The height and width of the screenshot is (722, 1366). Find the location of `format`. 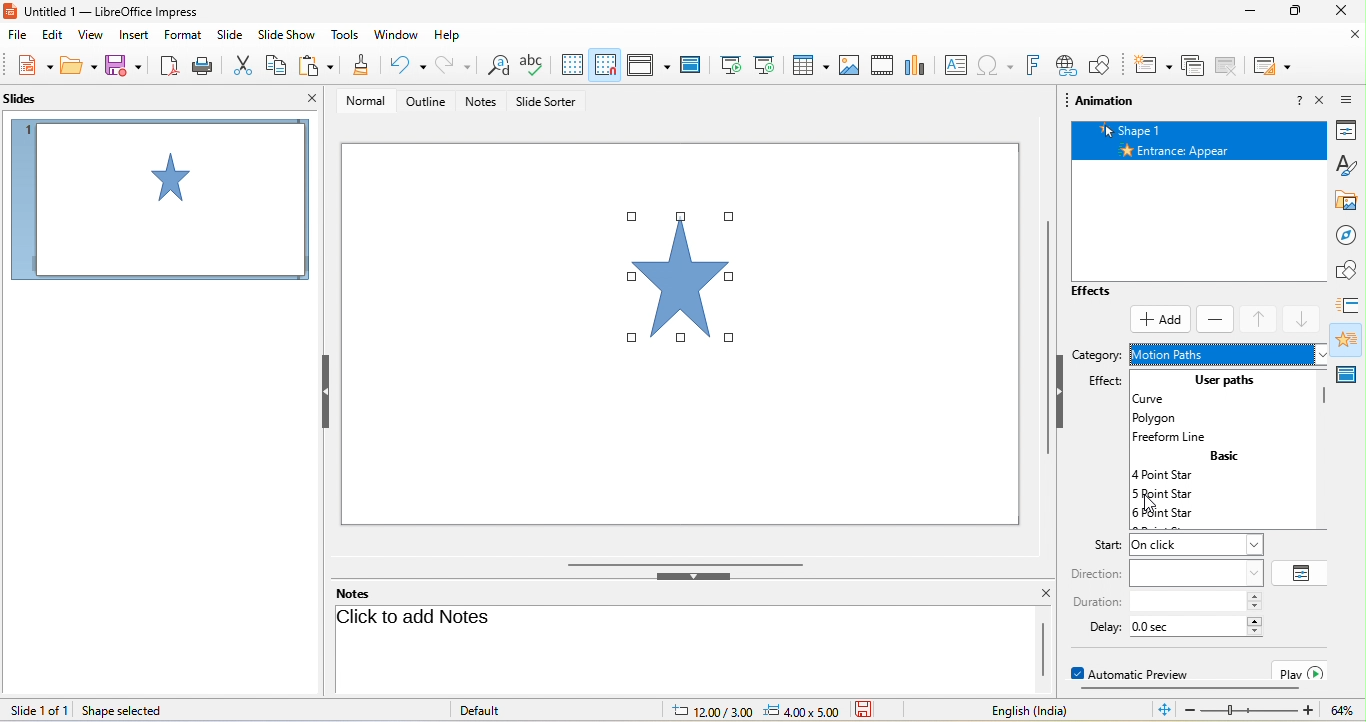

format is located at coordinates (183, 35).